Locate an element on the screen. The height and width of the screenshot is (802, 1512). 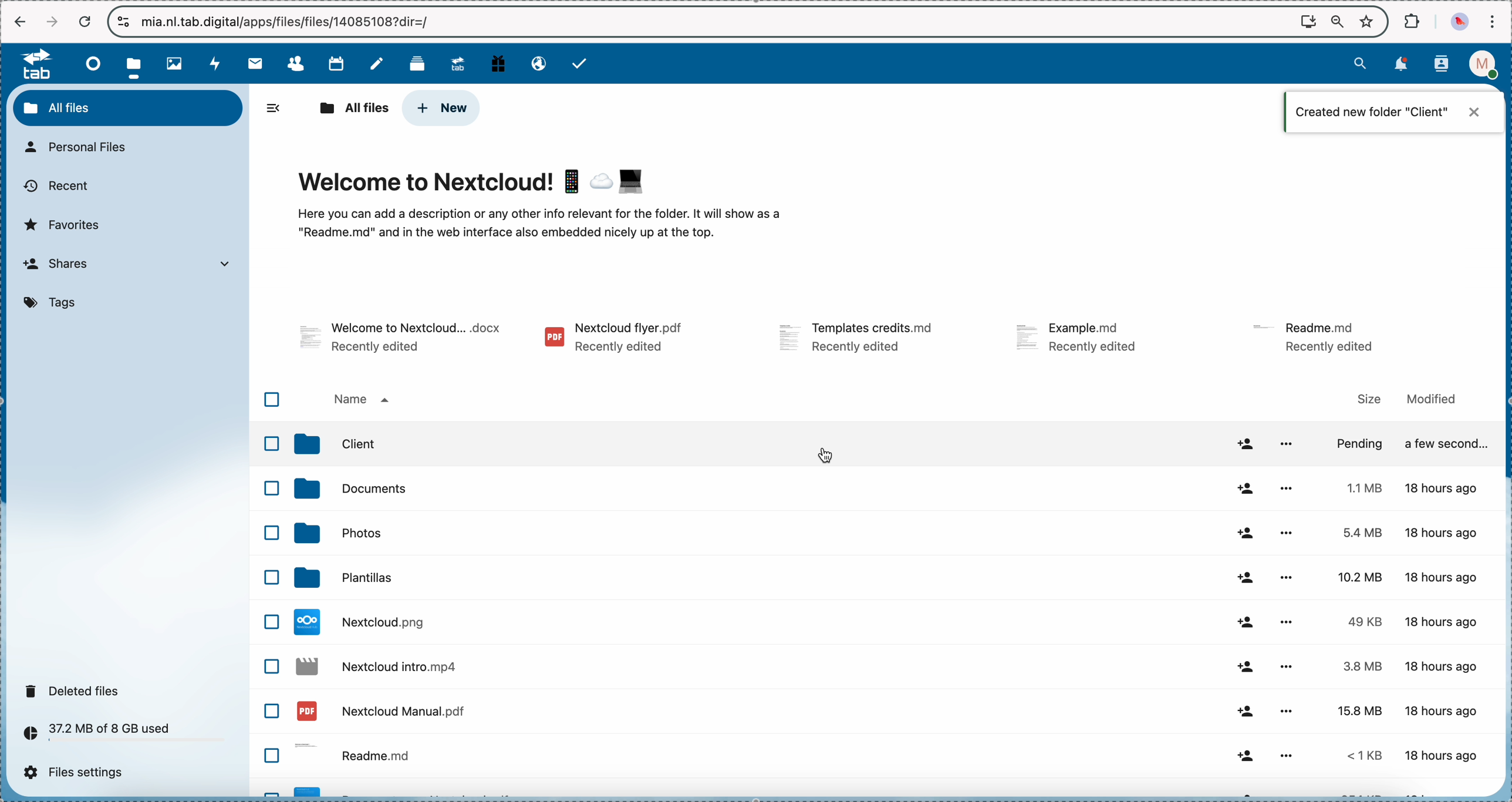
free is located at coordinates (498, 62).